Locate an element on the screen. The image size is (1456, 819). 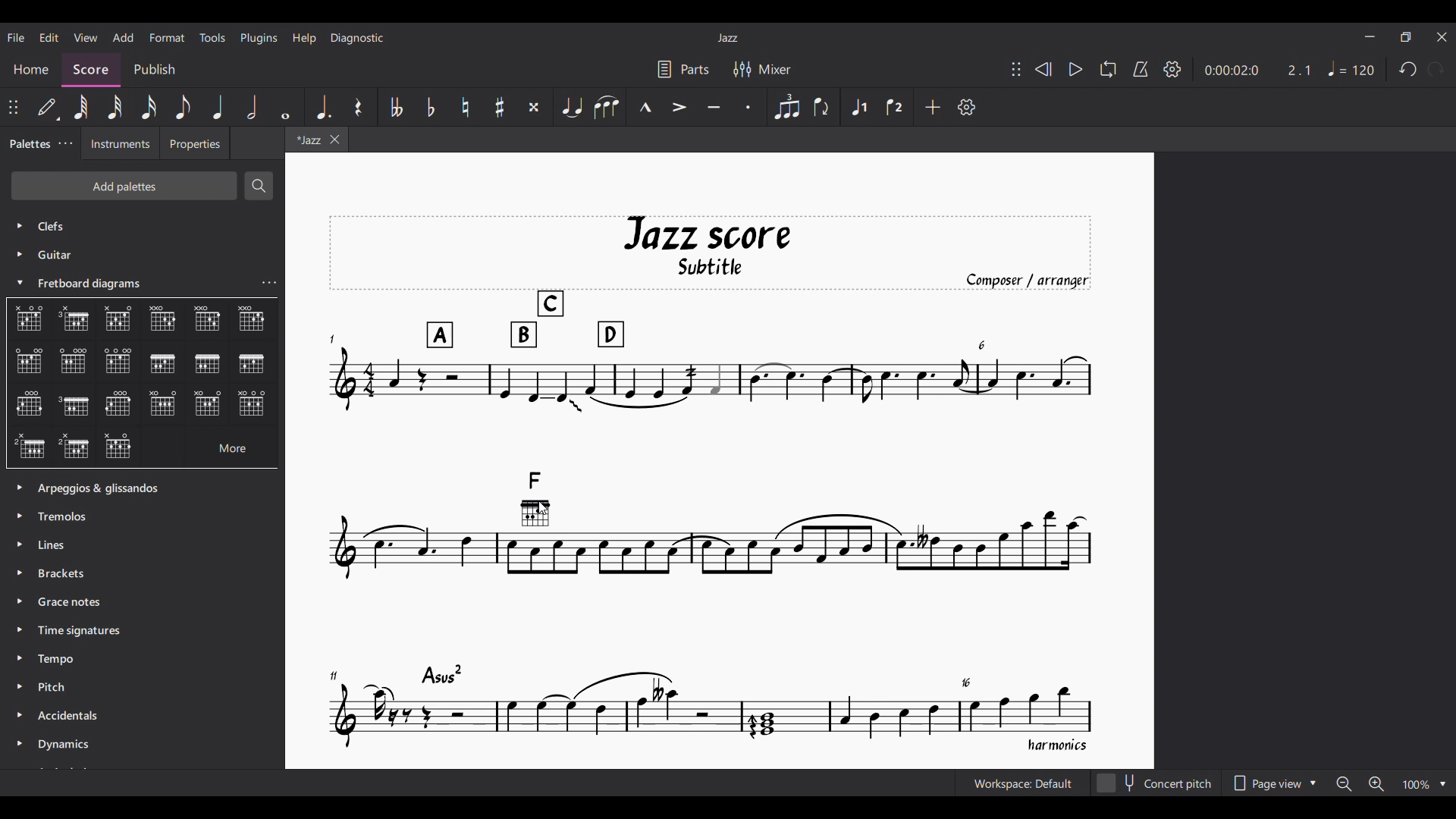
Palette options is located at coordinates (116, 485).